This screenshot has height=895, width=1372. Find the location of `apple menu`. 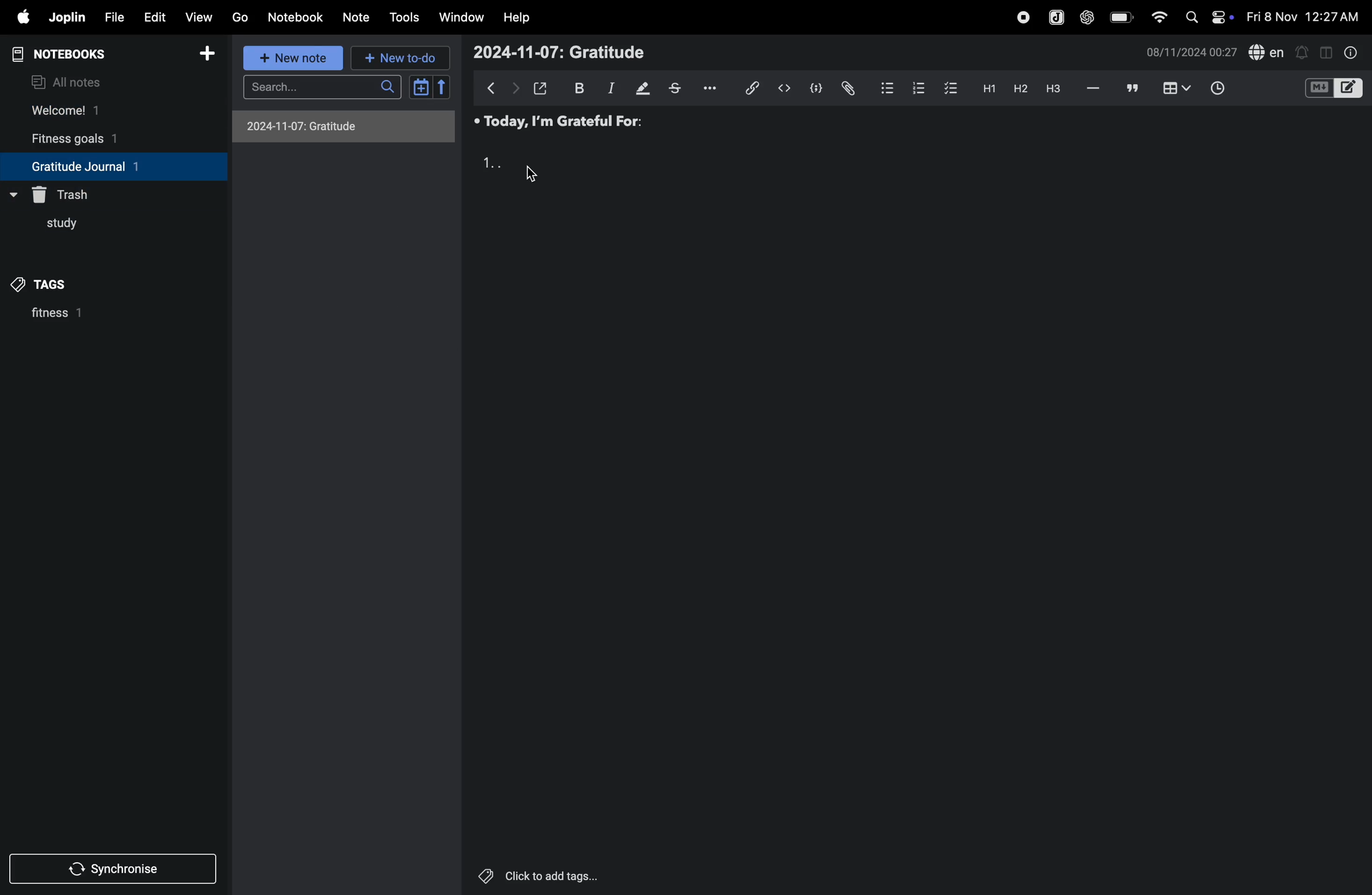

apple menu is located at coordinates (18, 17).